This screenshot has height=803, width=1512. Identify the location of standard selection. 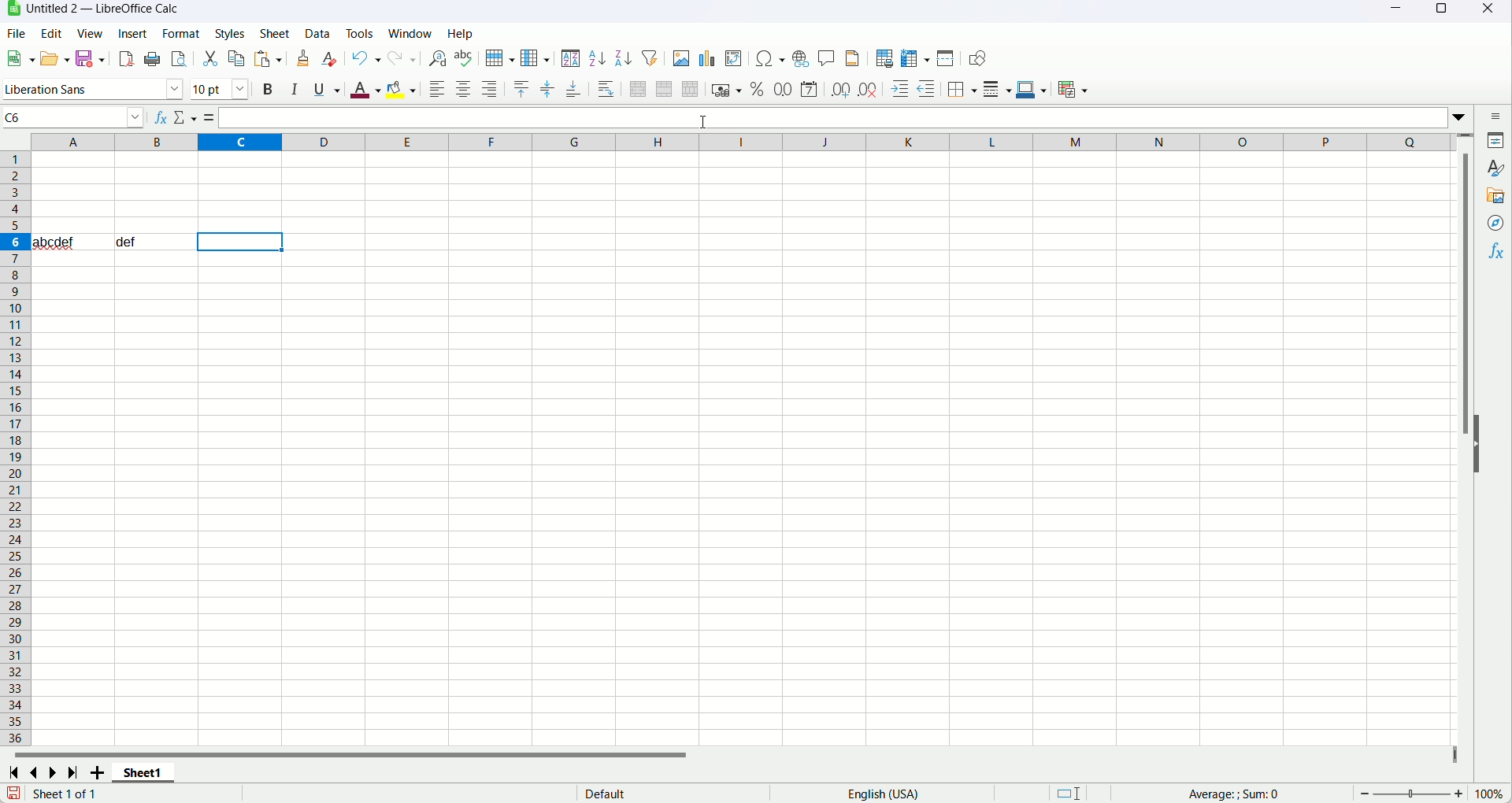
(1069, 792).